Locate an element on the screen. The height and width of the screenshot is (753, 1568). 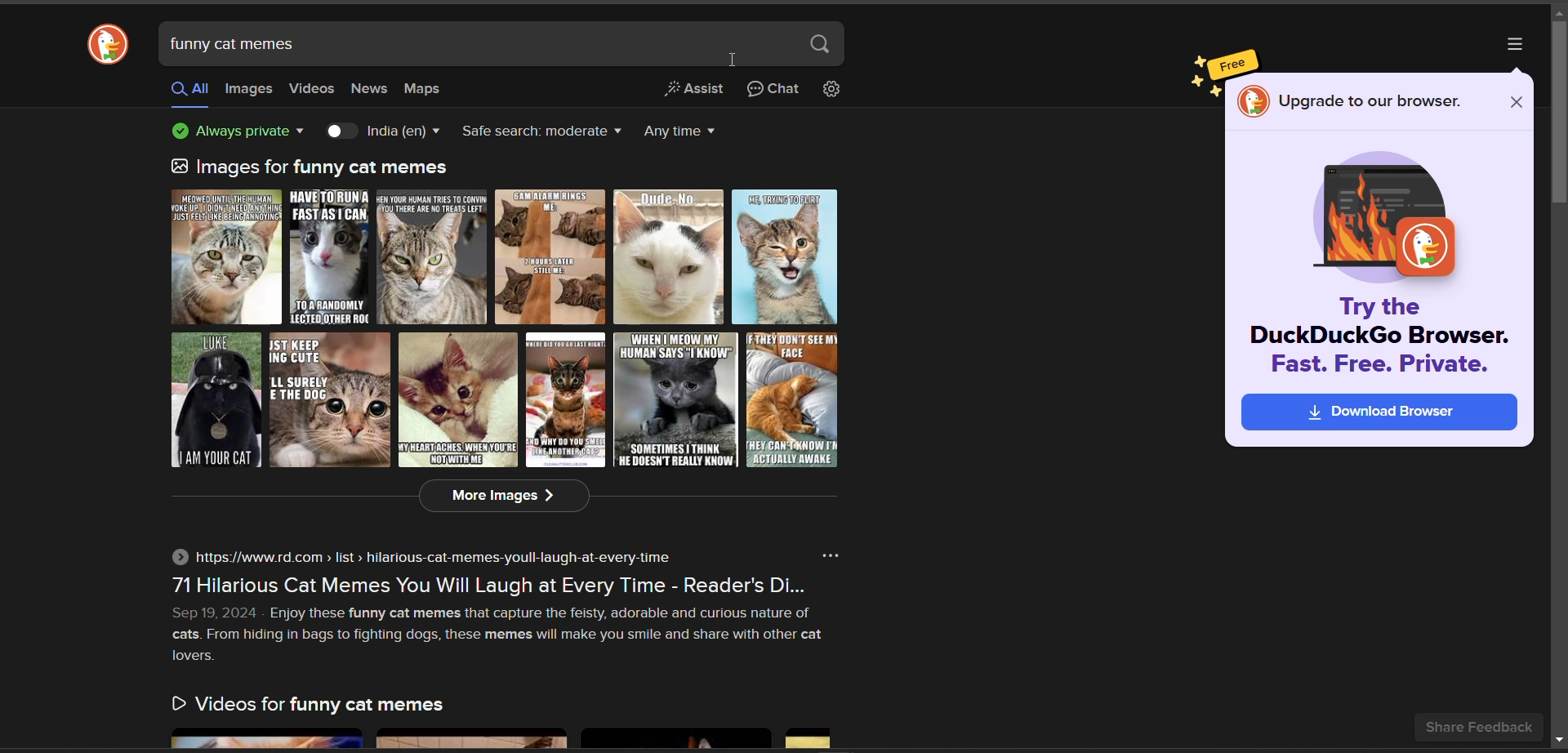
safe search filter is located at coordinates (538, 133).